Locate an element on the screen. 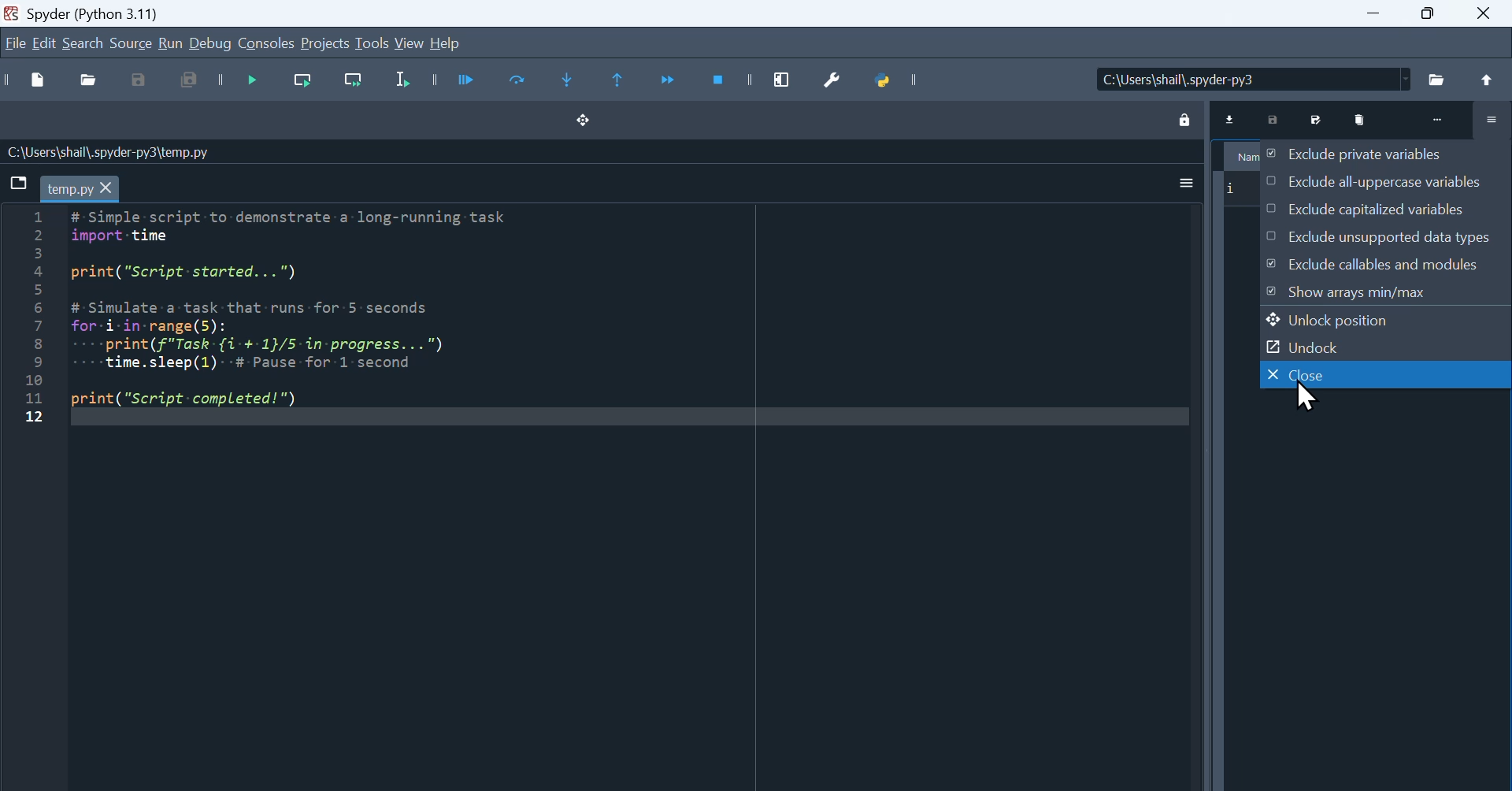 Image resolution: width=1512 pixels, height=791 pixels. Close is located at coordinates (1484, 13).